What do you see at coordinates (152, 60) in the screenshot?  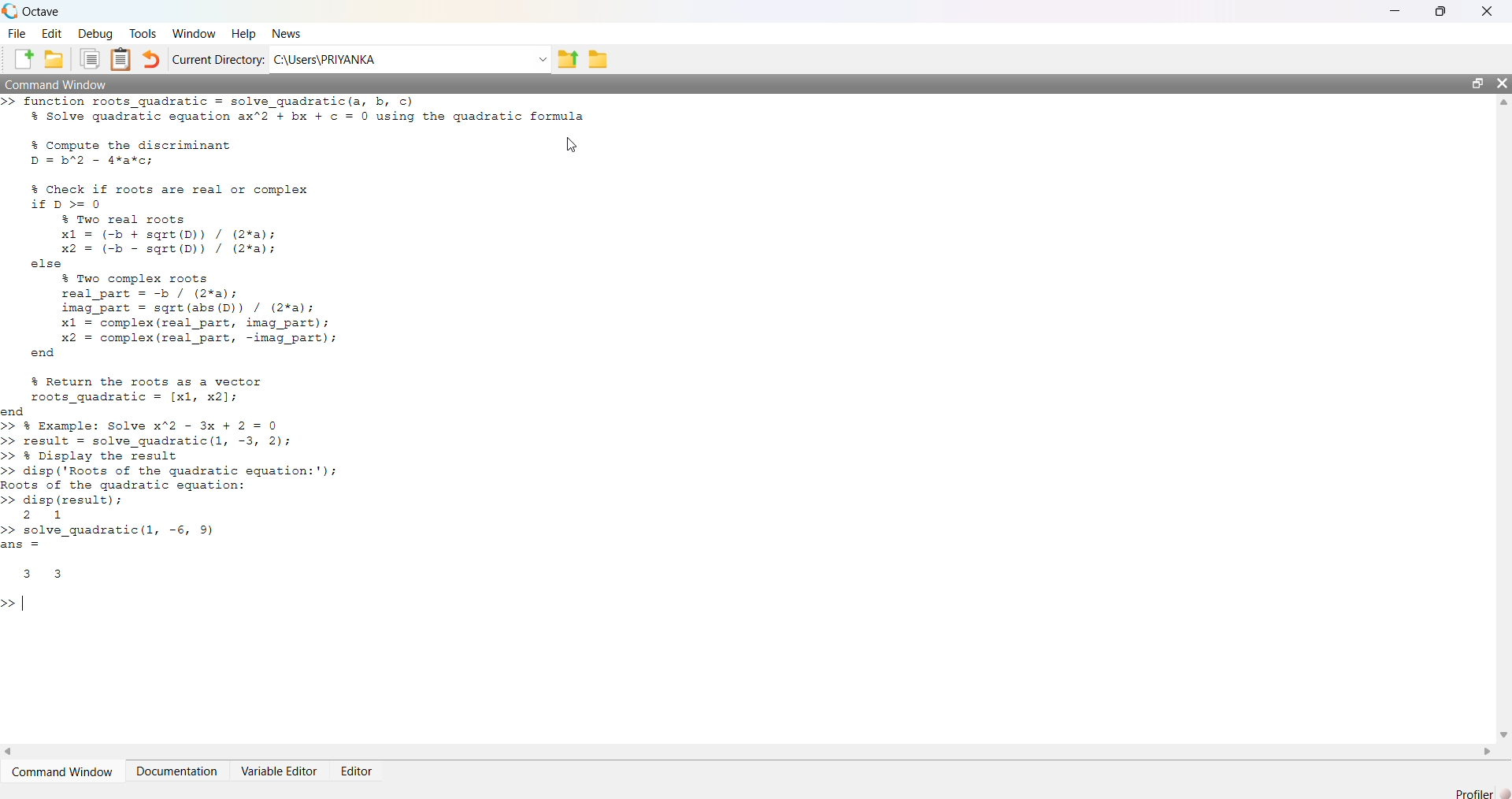 I see `Undo` at bounding box center [152, 60].